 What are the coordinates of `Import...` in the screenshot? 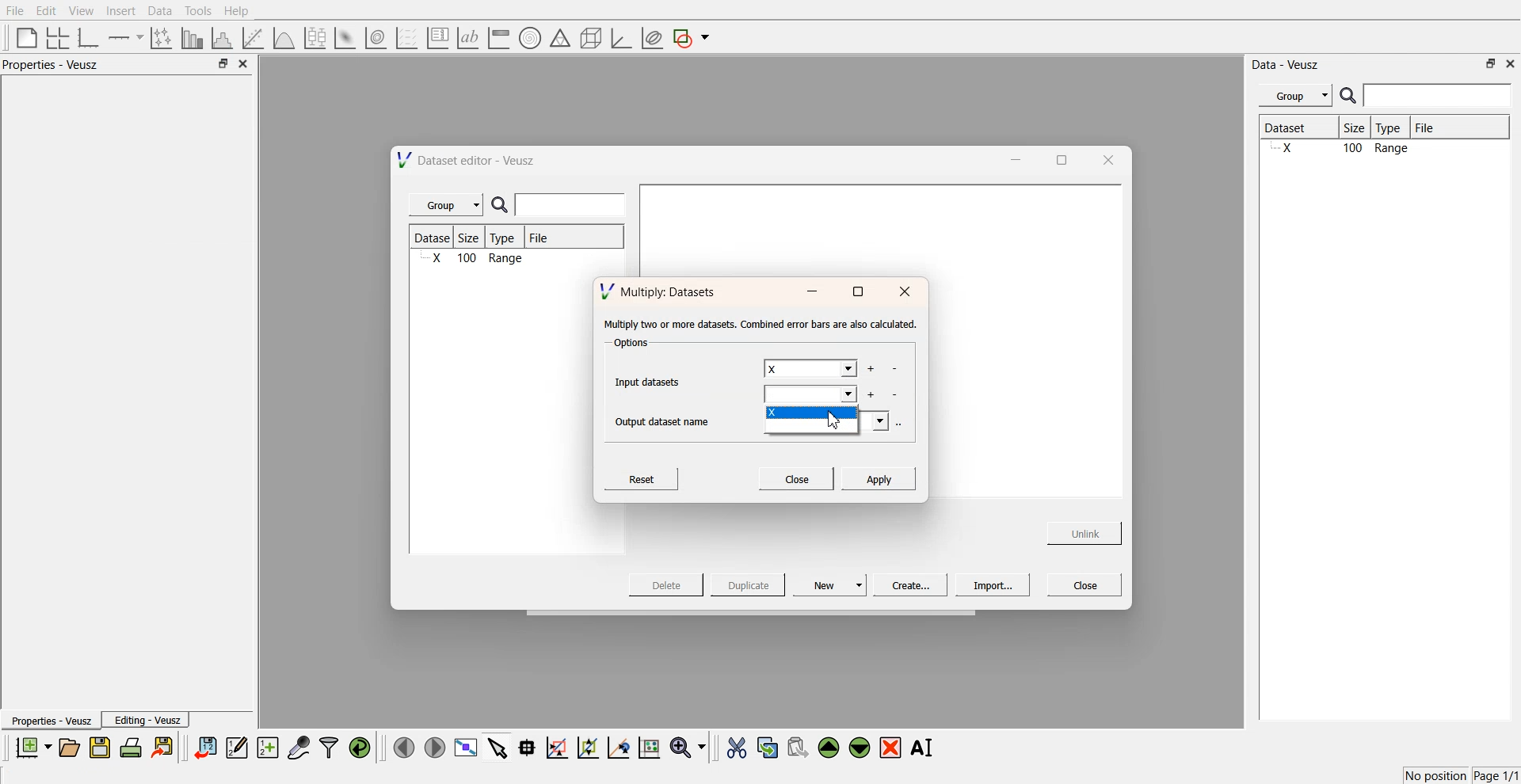 It's located at (993, 585).